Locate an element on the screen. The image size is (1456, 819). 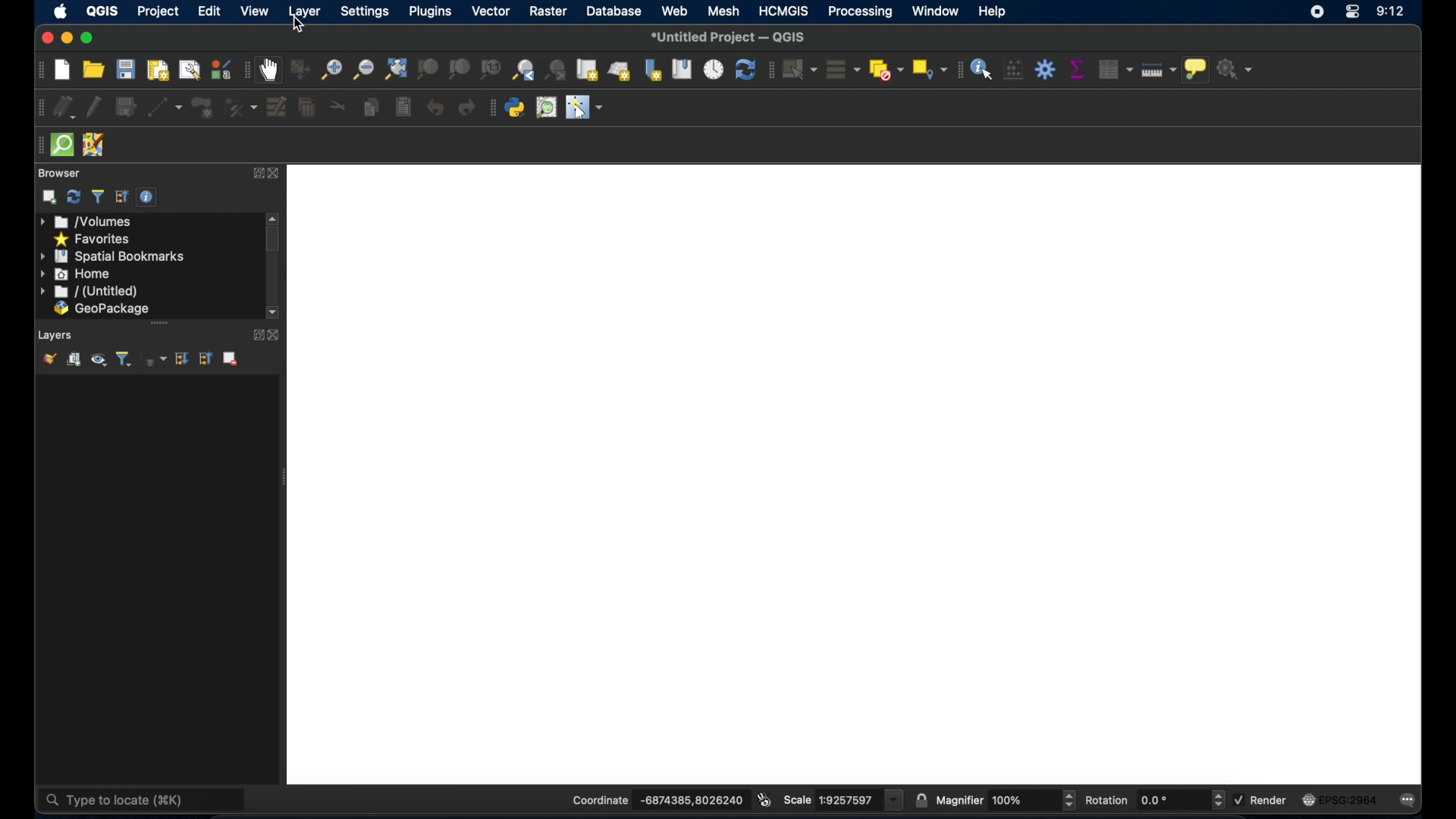
modify attributes is located at coordinates (276, 107).